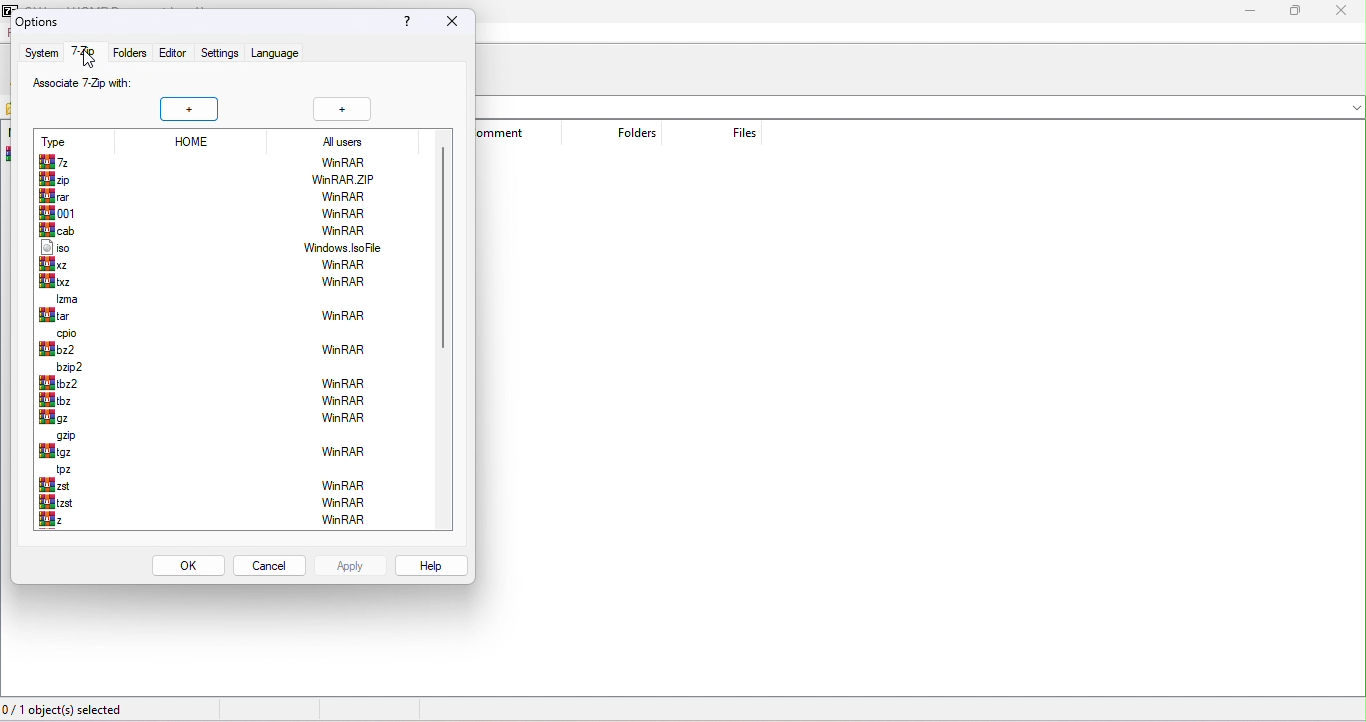 Image resolution: width=1366 pixels, height=722 pixels. I want to click on winrar, so click(350, 198).